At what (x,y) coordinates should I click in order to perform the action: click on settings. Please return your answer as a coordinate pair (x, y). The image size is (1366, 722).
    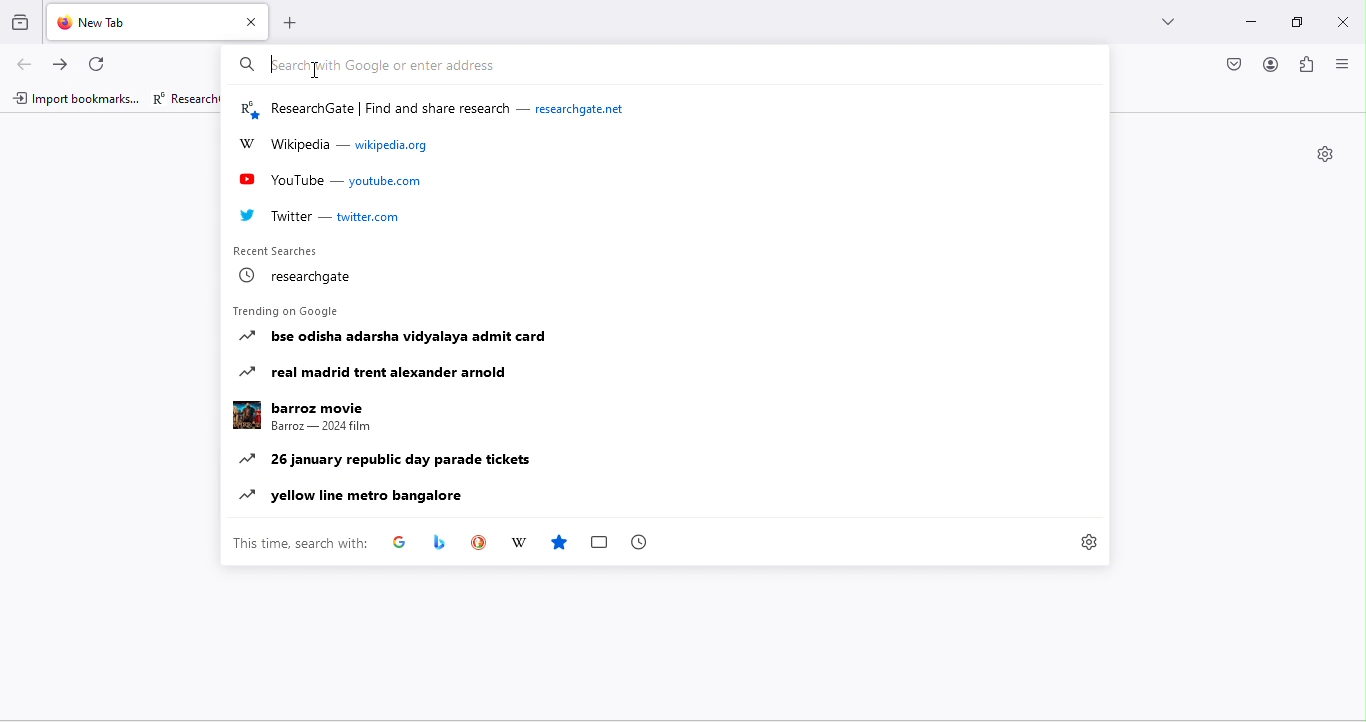
    Looking at the image, I should click on (1082, 541).